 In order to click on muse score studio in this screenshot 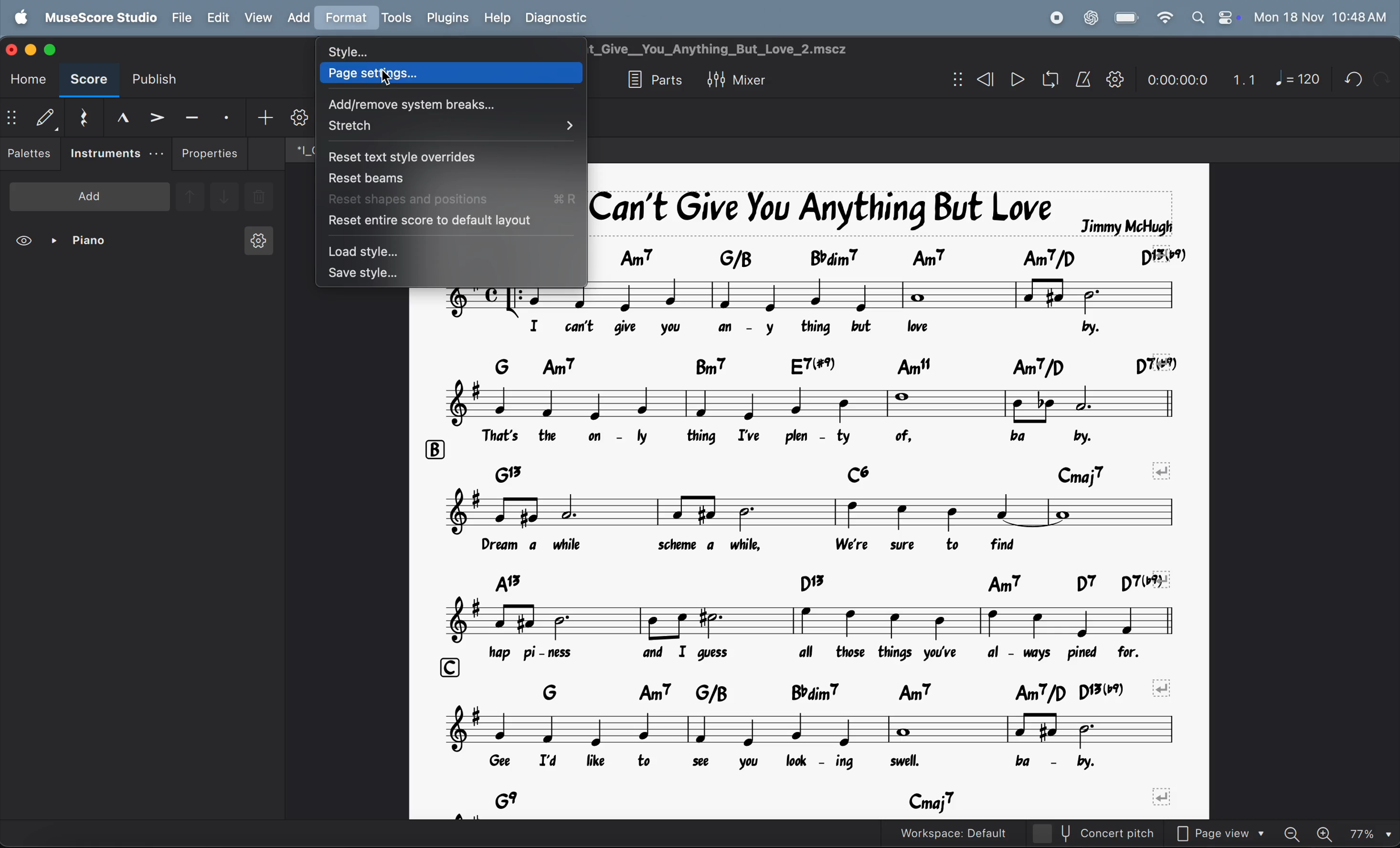, I will do `click(100, 16)`.